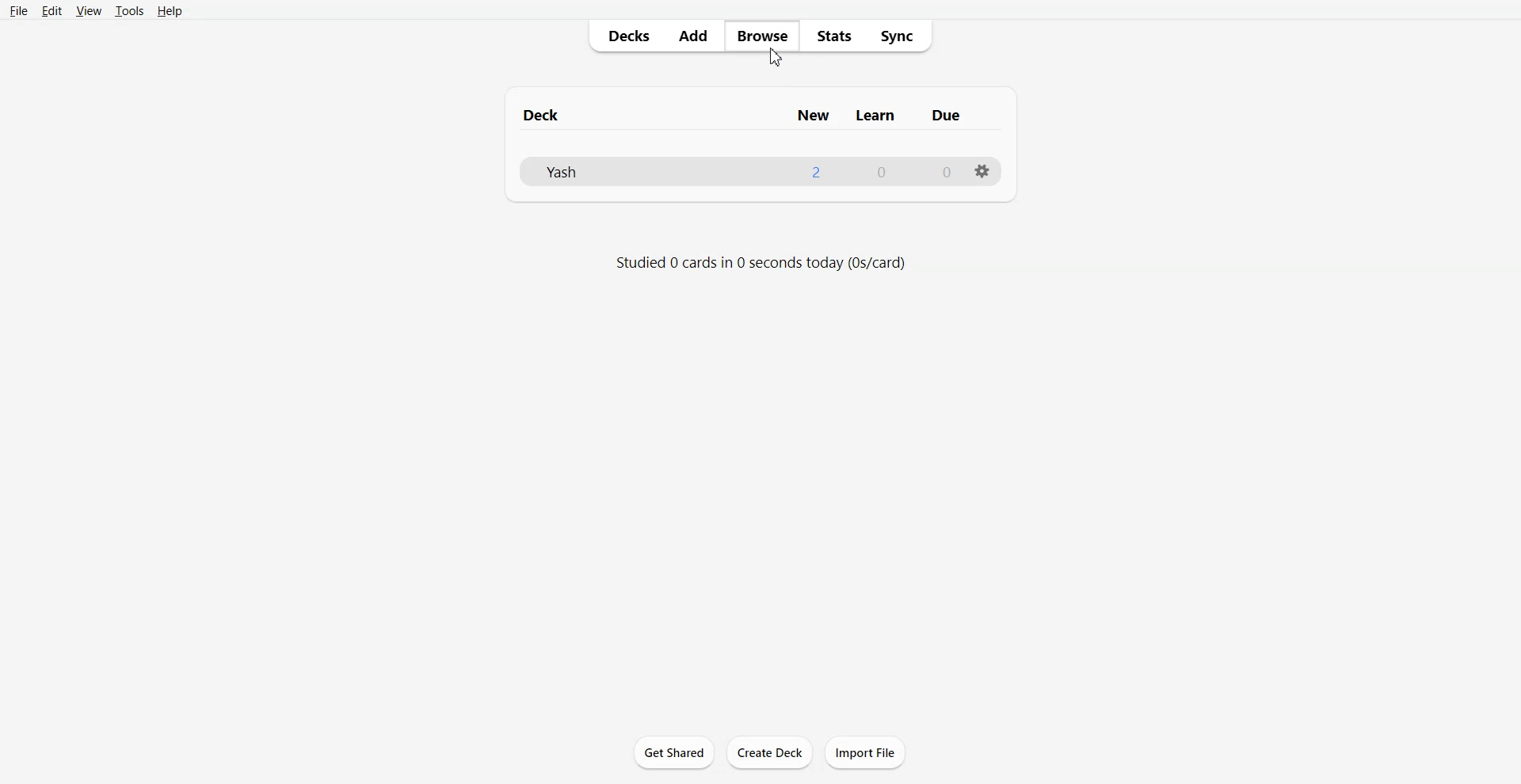  Describe the element at coordinates (879, 171) in the screenshot. I see `0` at that location.